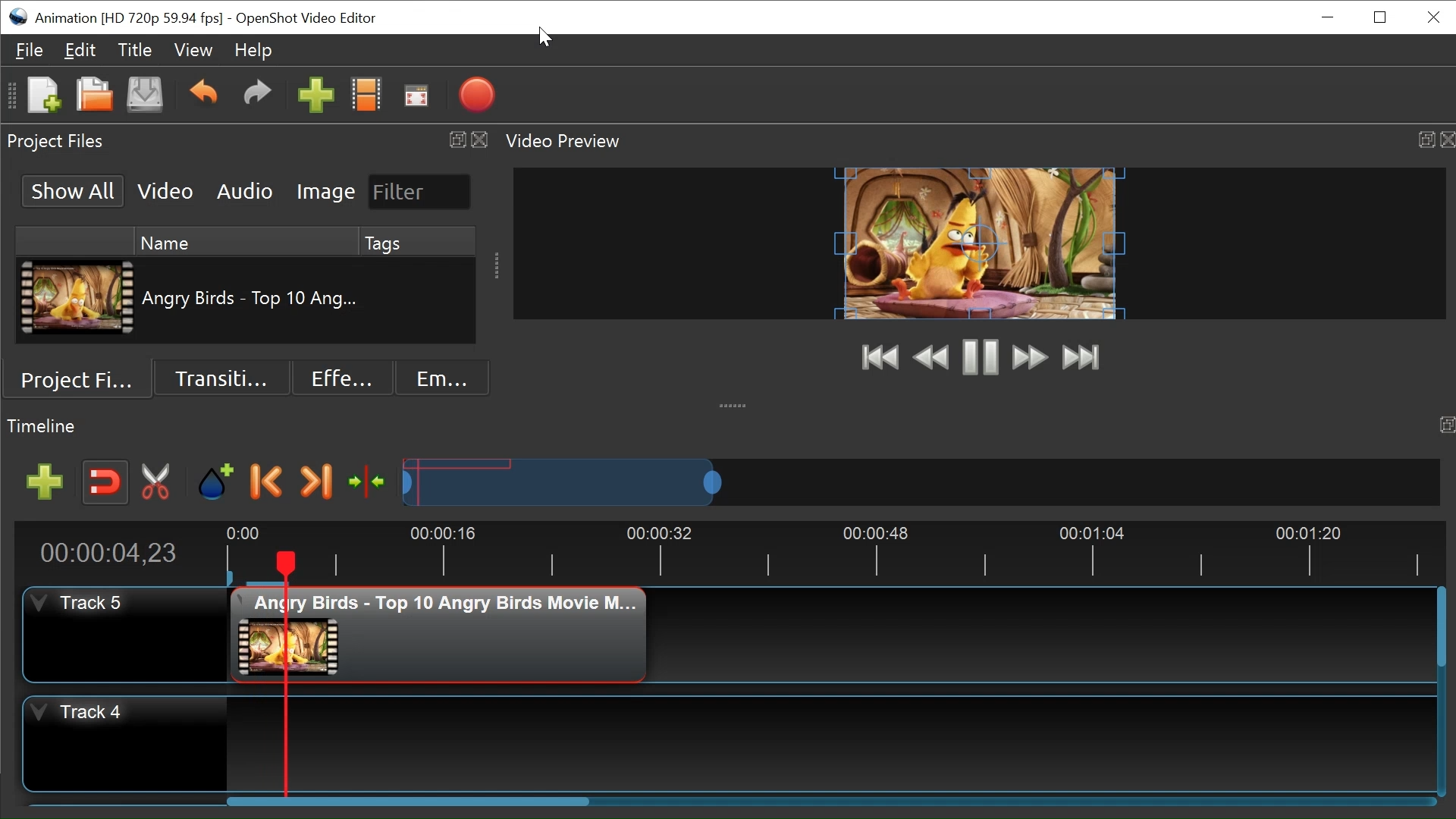 This screenshot has height=819, width=1456. Describe the element at coordinates (1431, 18) in the screenshot. I see `Close` at that location.